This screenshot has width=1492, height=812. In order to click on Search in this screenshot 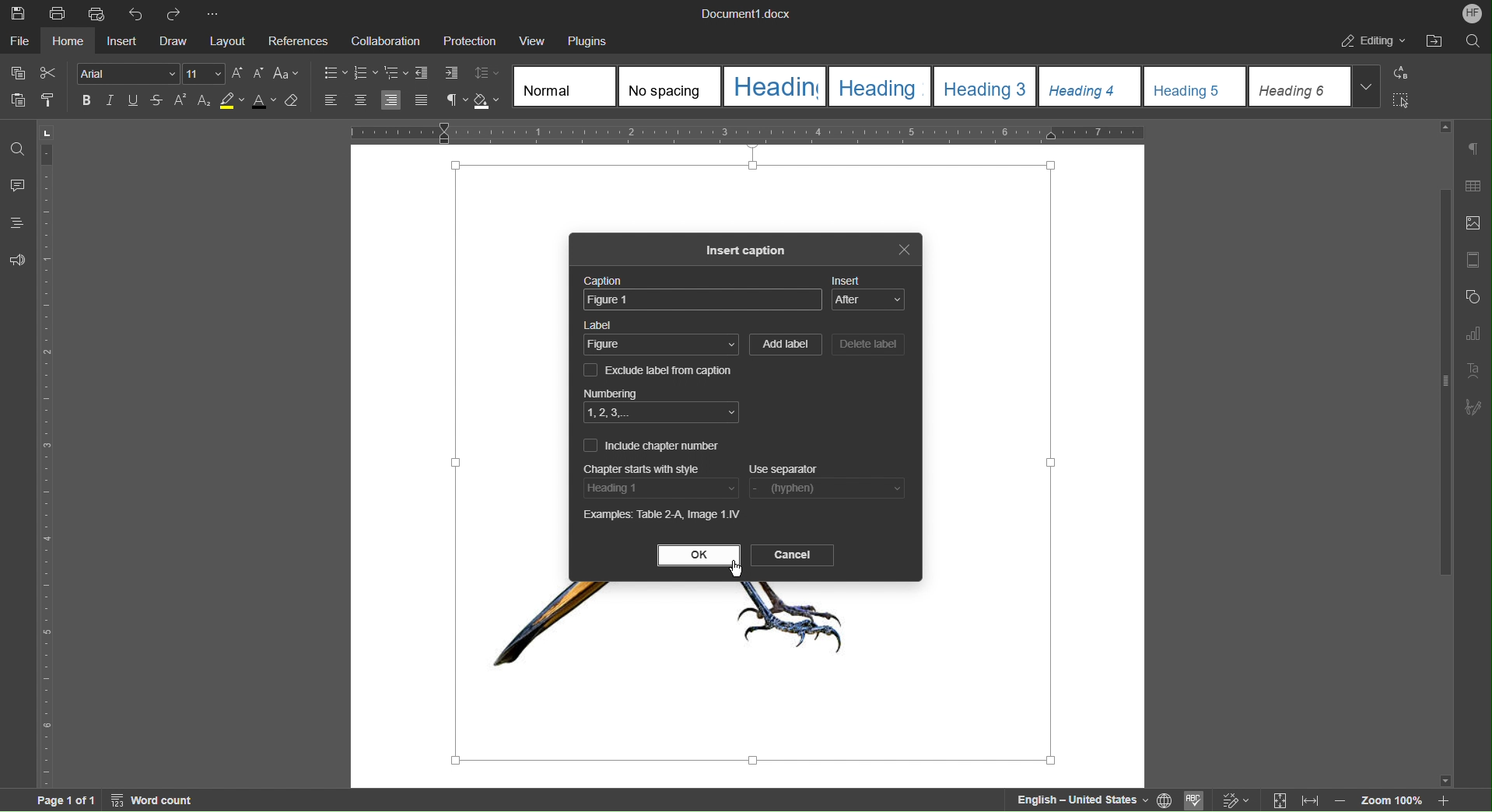, I will do `click(1473, 41)`.